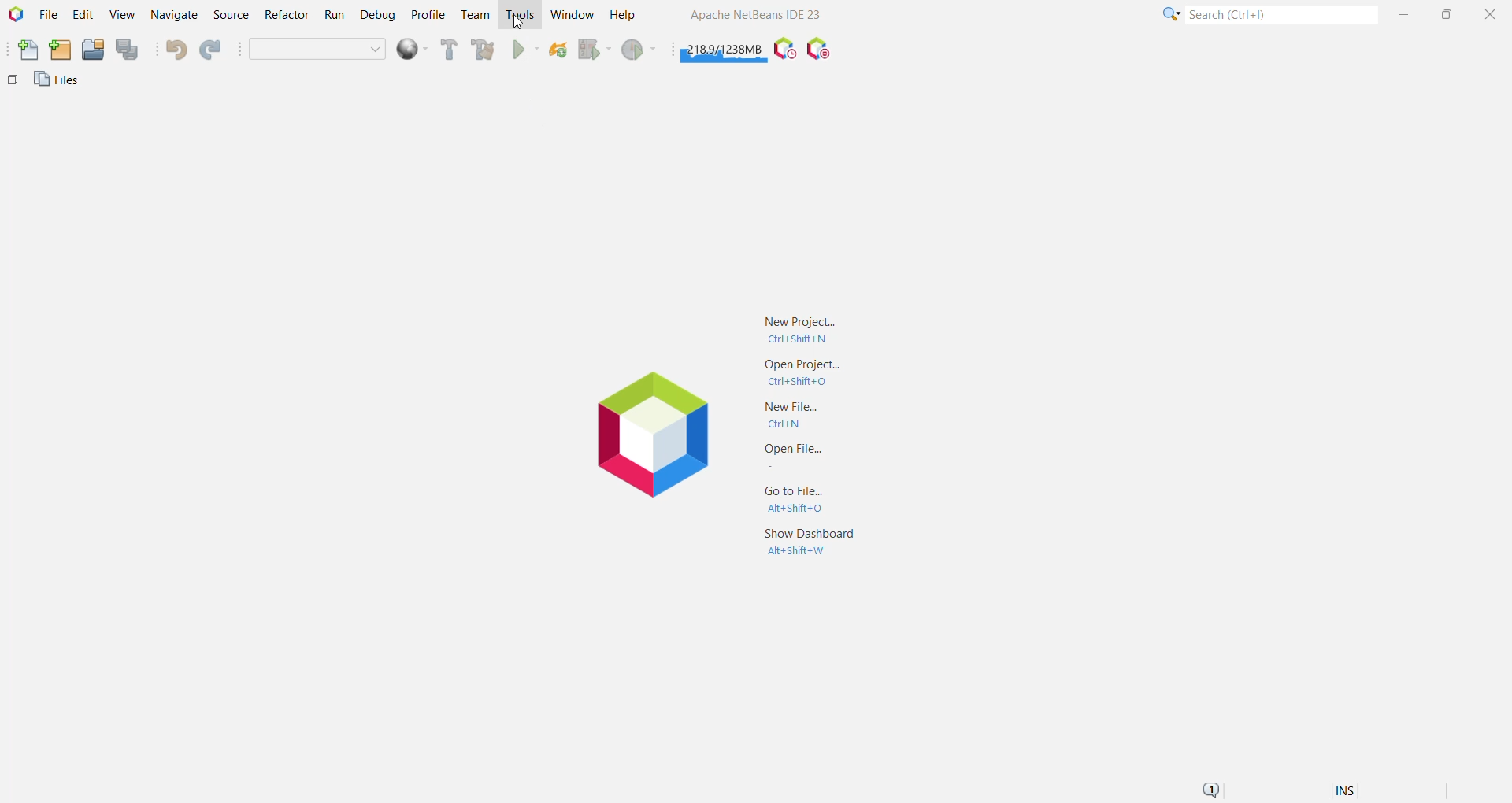 The width and height of the screenshot is (1512, 803). I want to click on Edit, so click(83, 16).